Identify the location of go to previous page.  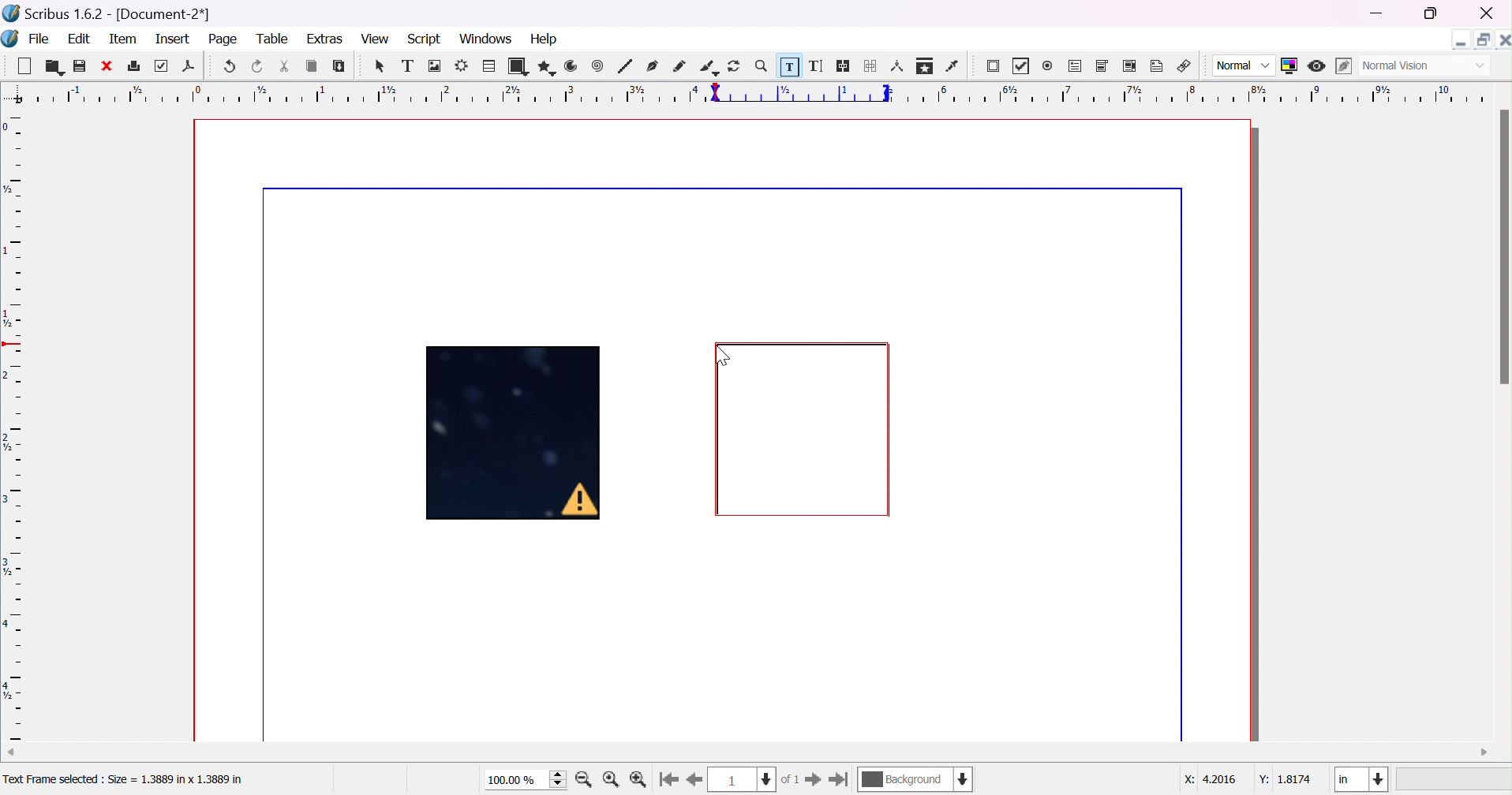
(693, 781).